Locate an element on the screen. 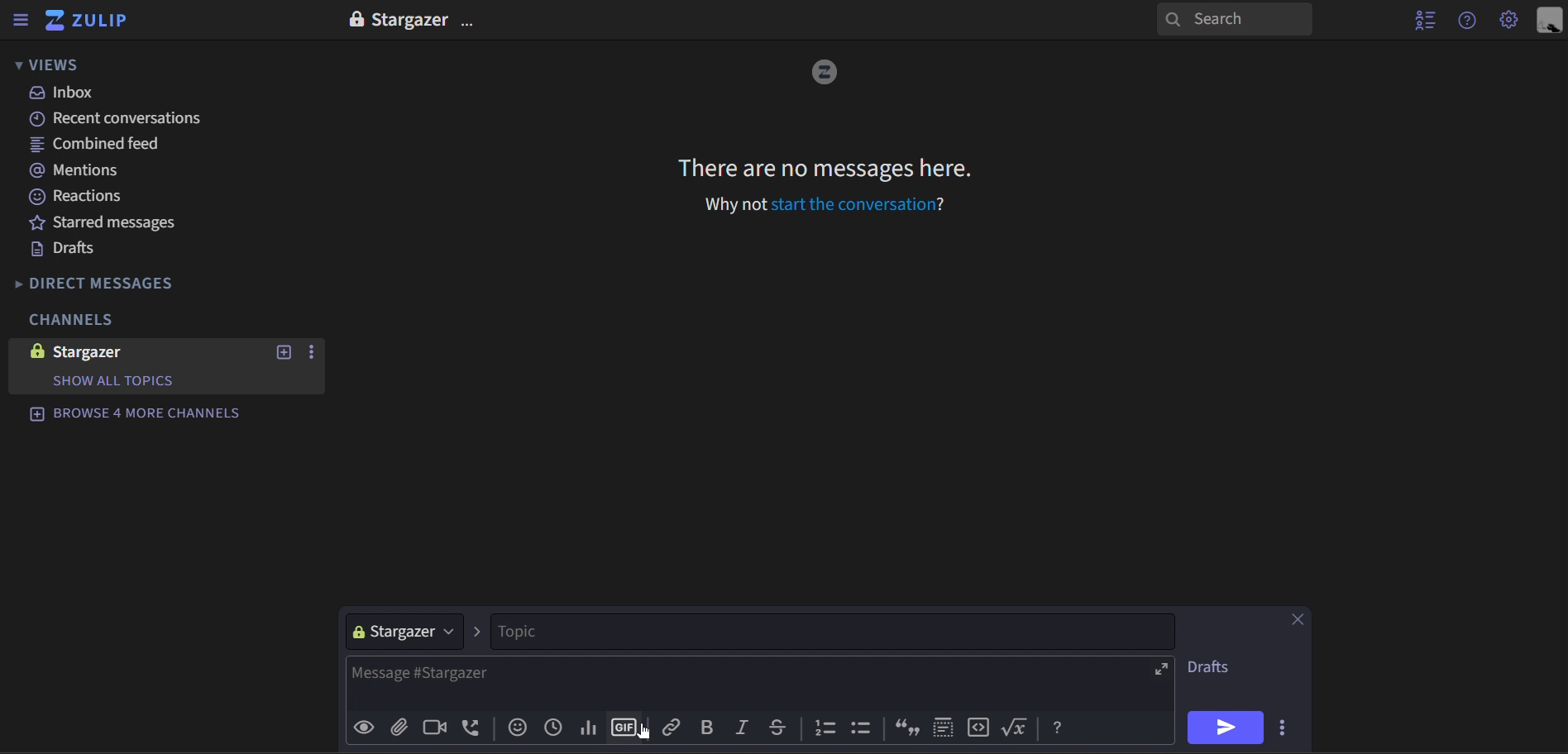  lock is located at coordinates (355, 19).